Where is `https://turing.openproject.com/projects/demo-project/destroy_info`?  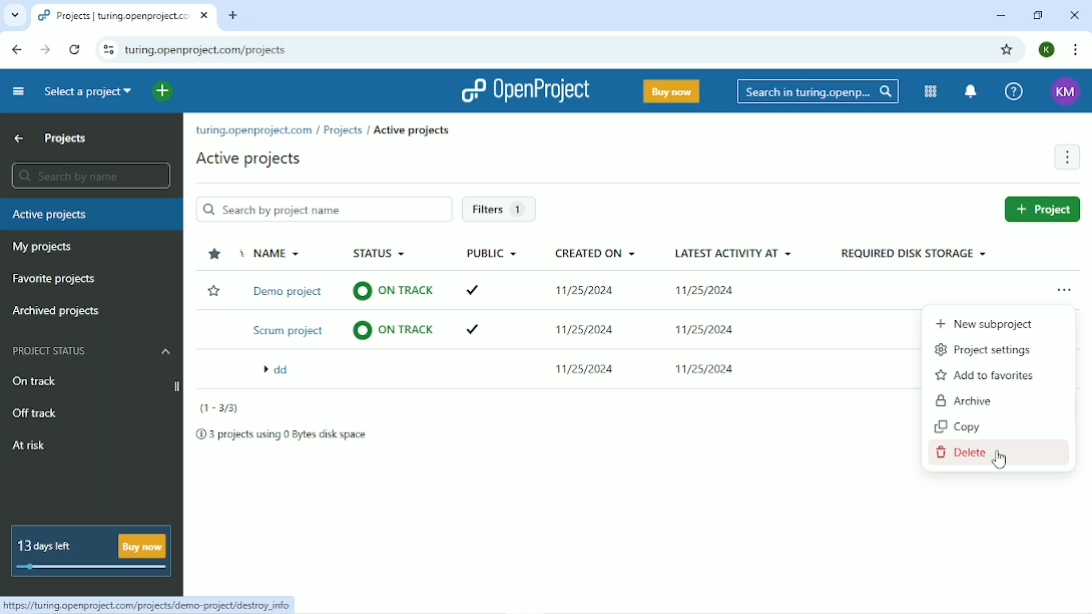 https://turing.openproject.com/projects/demo-project/destroy_info is located at coordinates (150, 606).